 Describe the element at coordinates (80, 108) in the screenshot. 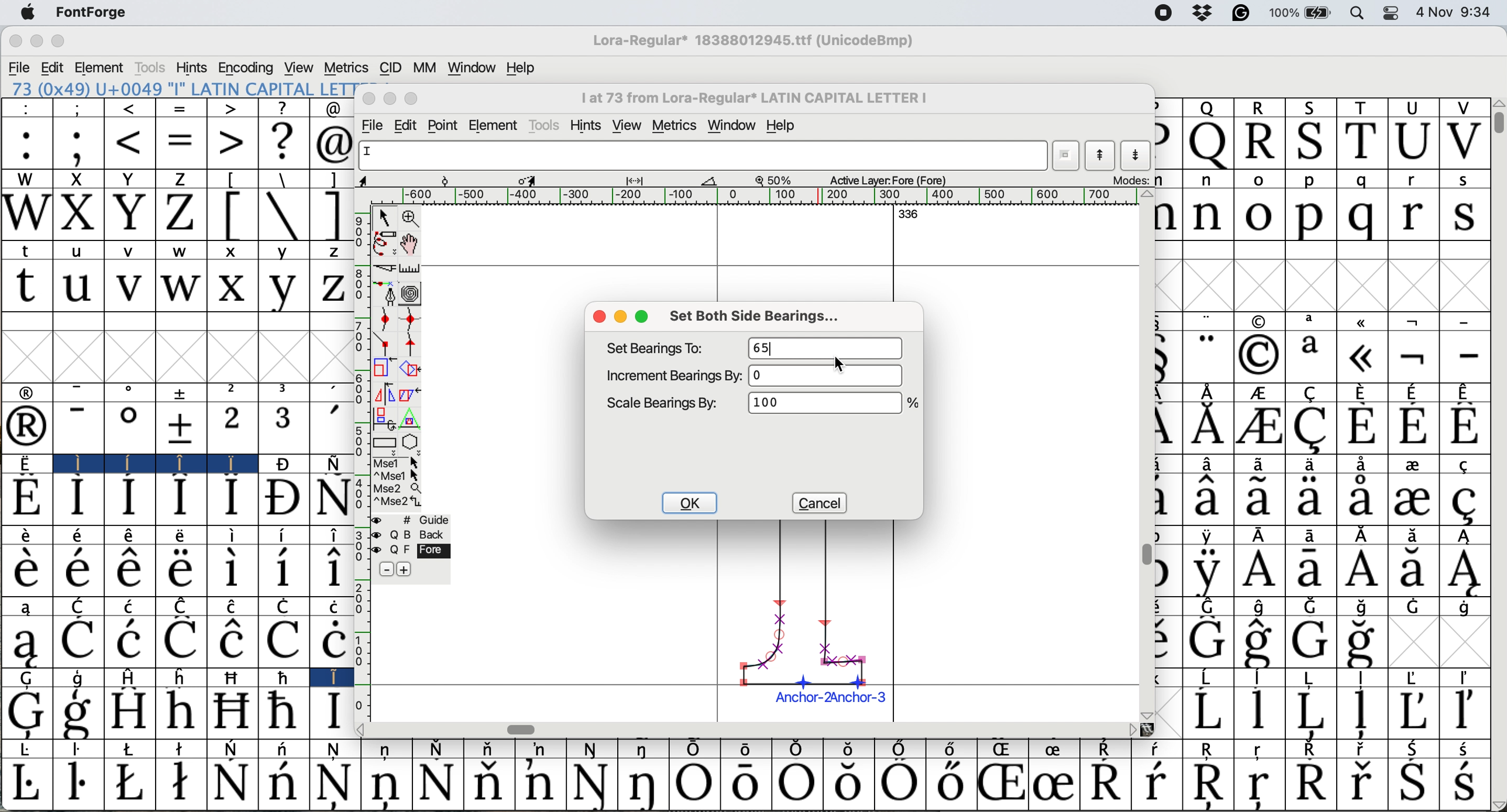

I see `;` at that location.